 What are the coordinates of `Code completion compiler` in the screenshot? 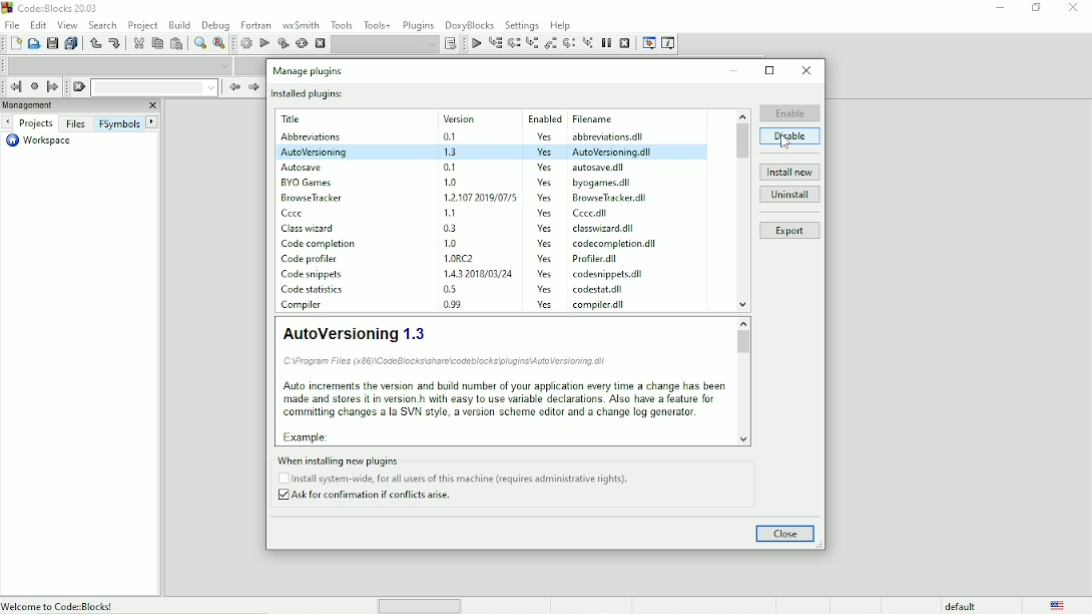 It's located at (120, 65).